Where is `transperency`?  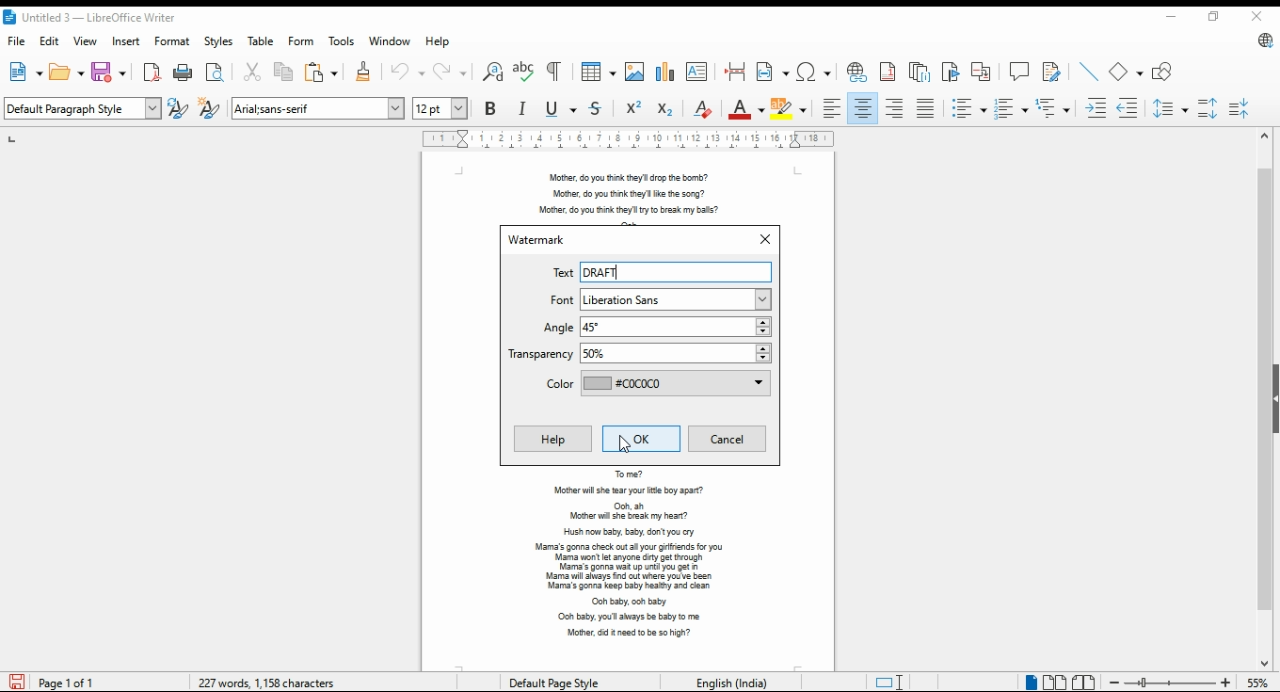 transperency is located at coordinates (637, 354).